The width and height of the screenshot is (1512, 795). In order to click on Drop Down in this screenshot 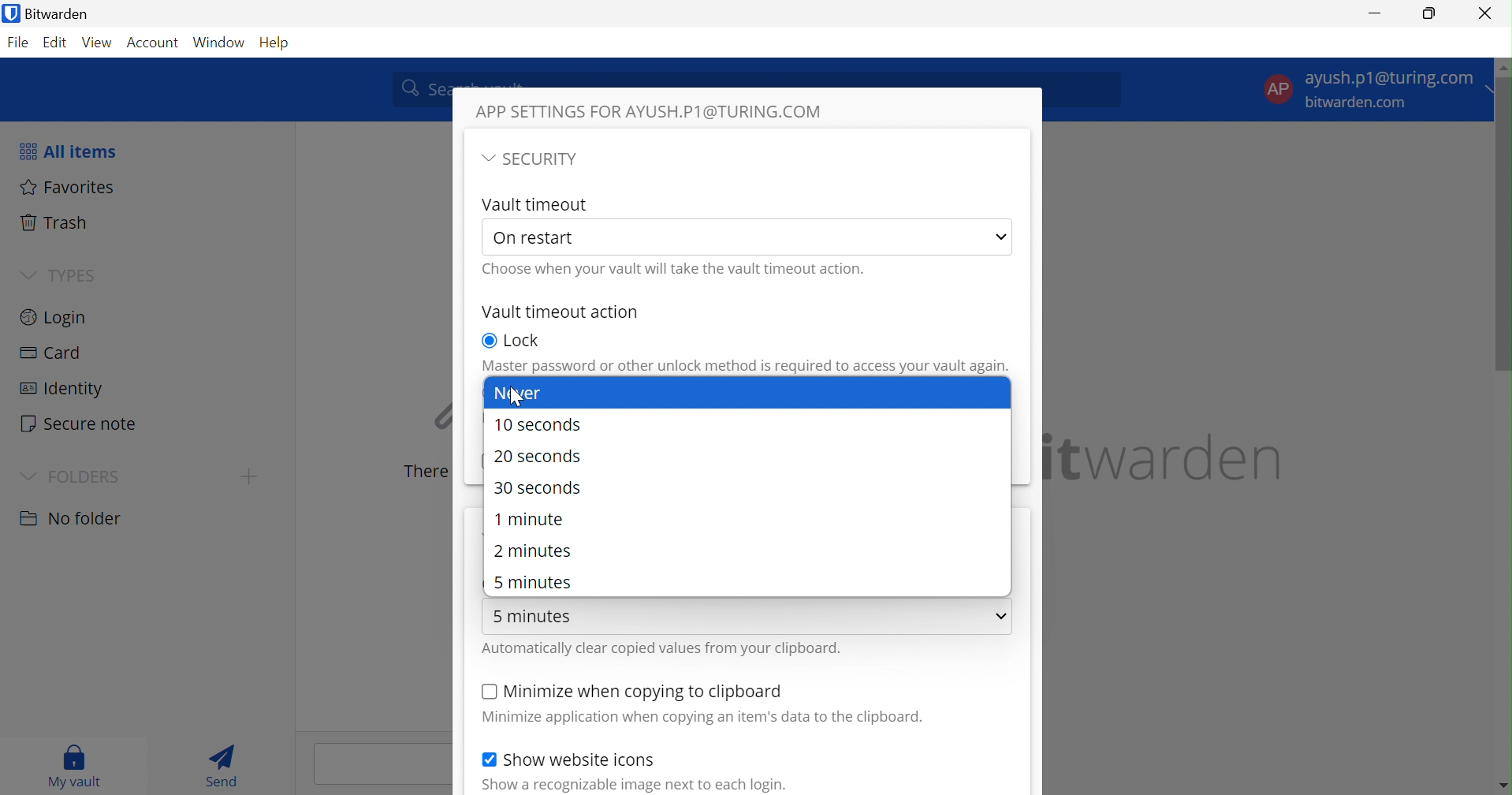, I will do `click(28, 275)`.